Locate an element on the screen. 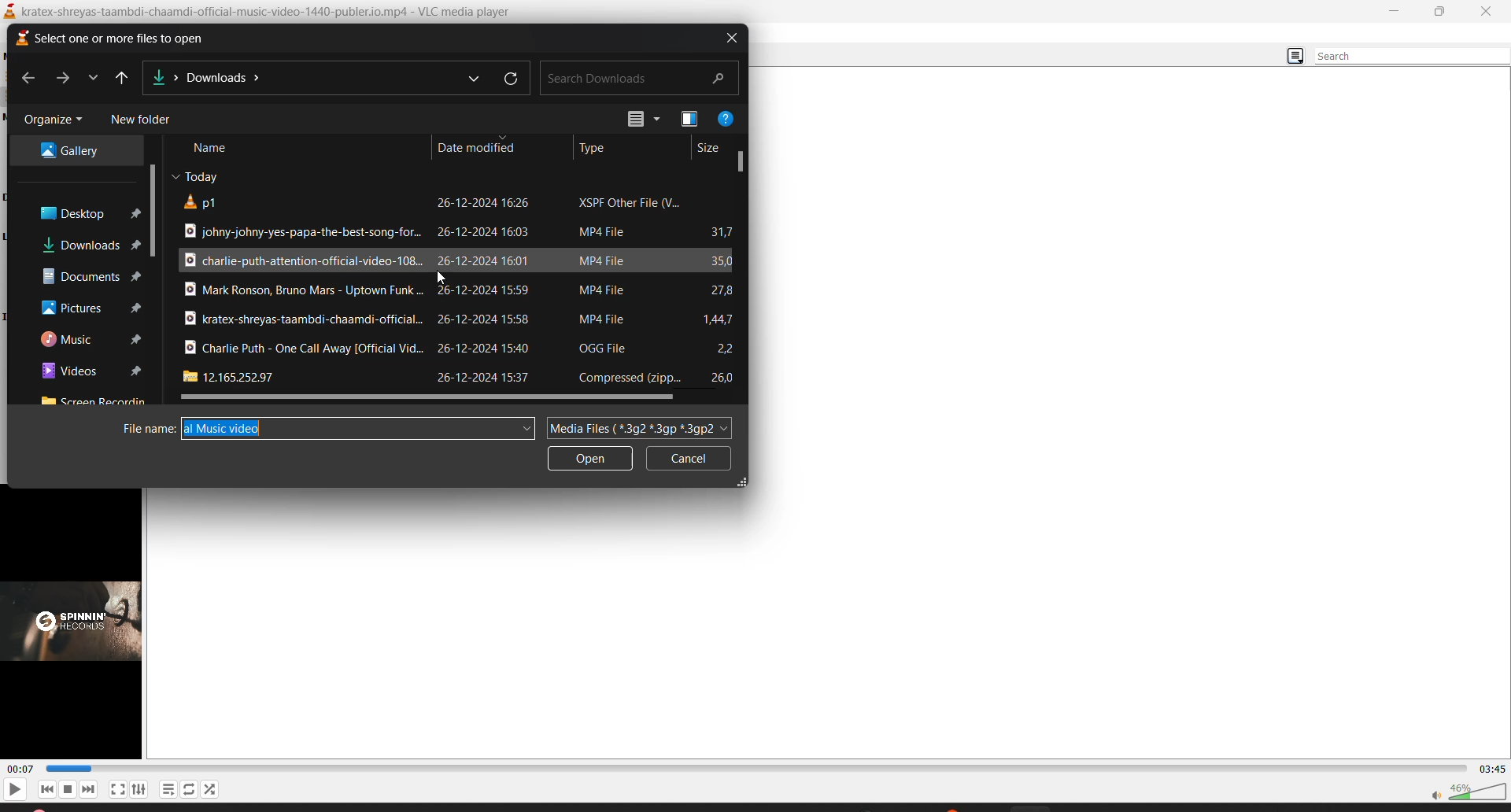 Image resolution: width=1511 pixels, height=812 pixels. file location is located at coordinates (207, 76).